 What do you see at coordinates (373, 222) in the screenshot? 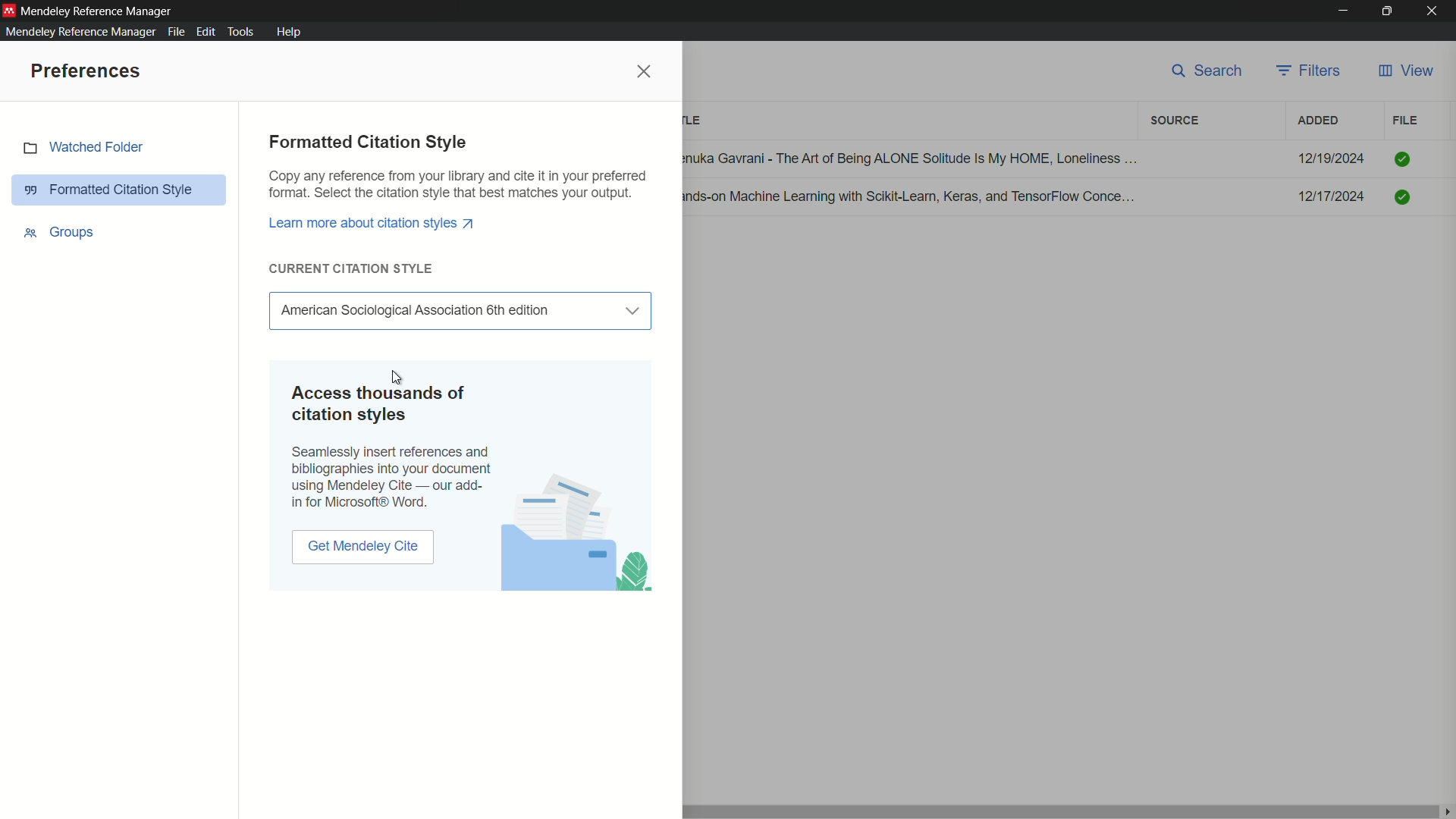
I see `Learn more about citation styles` at bounding box center [373, 222].